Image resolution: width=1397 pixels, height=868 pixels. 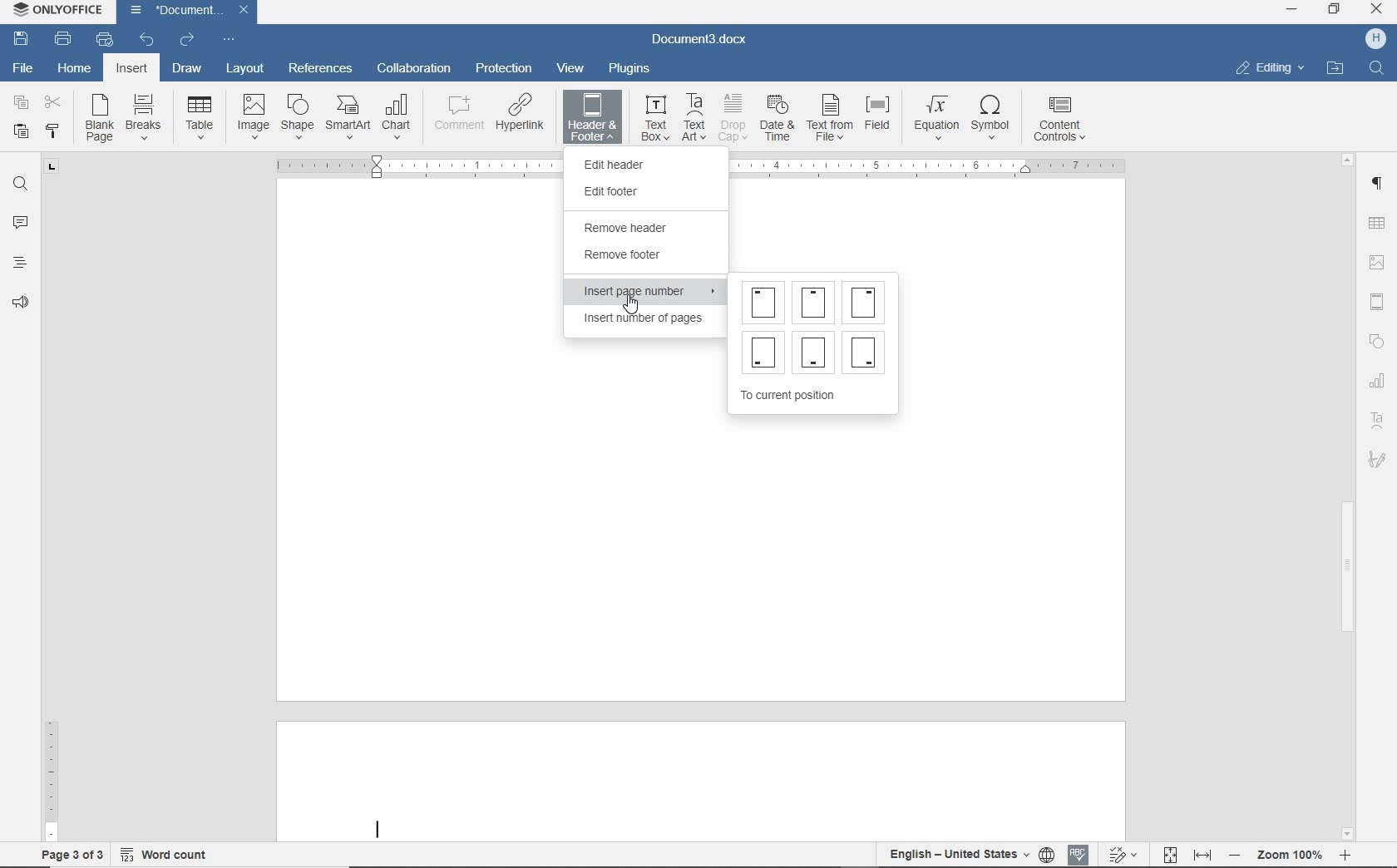 I want to click on PARAGRAPH SETTINGS, so click(x=1378, y=184).